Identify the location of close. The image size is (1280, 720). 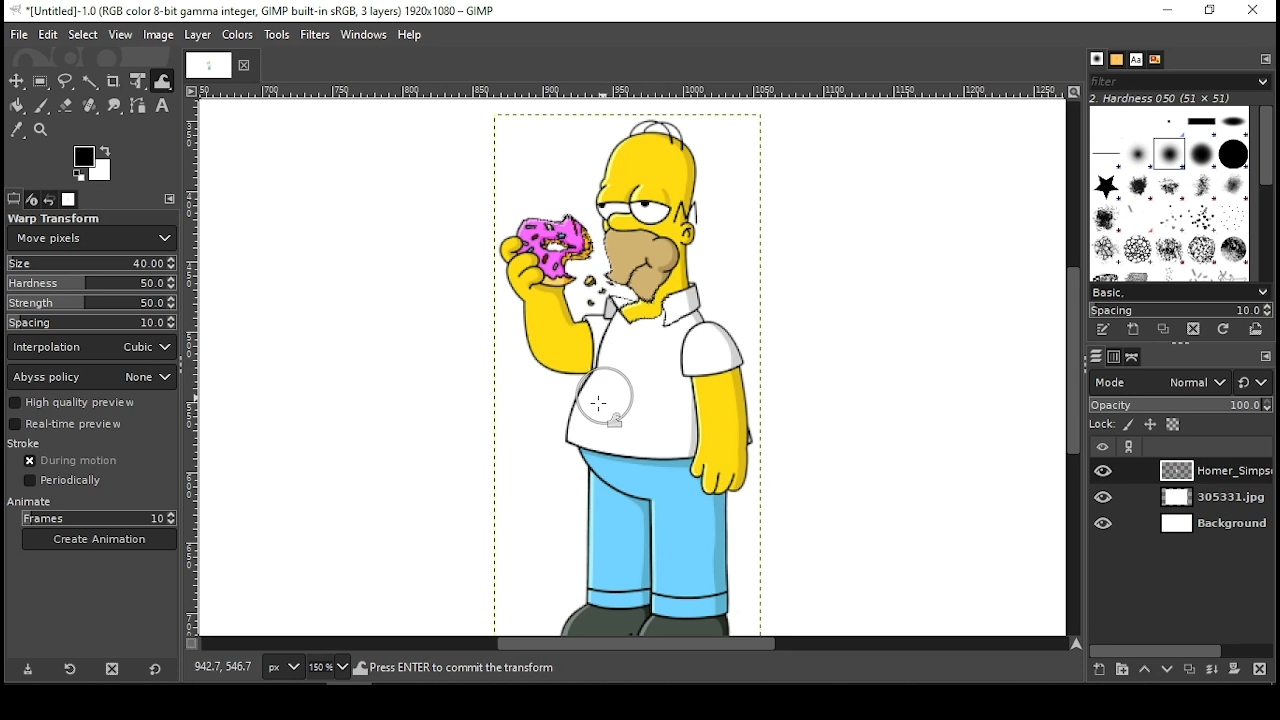
(246, 65).